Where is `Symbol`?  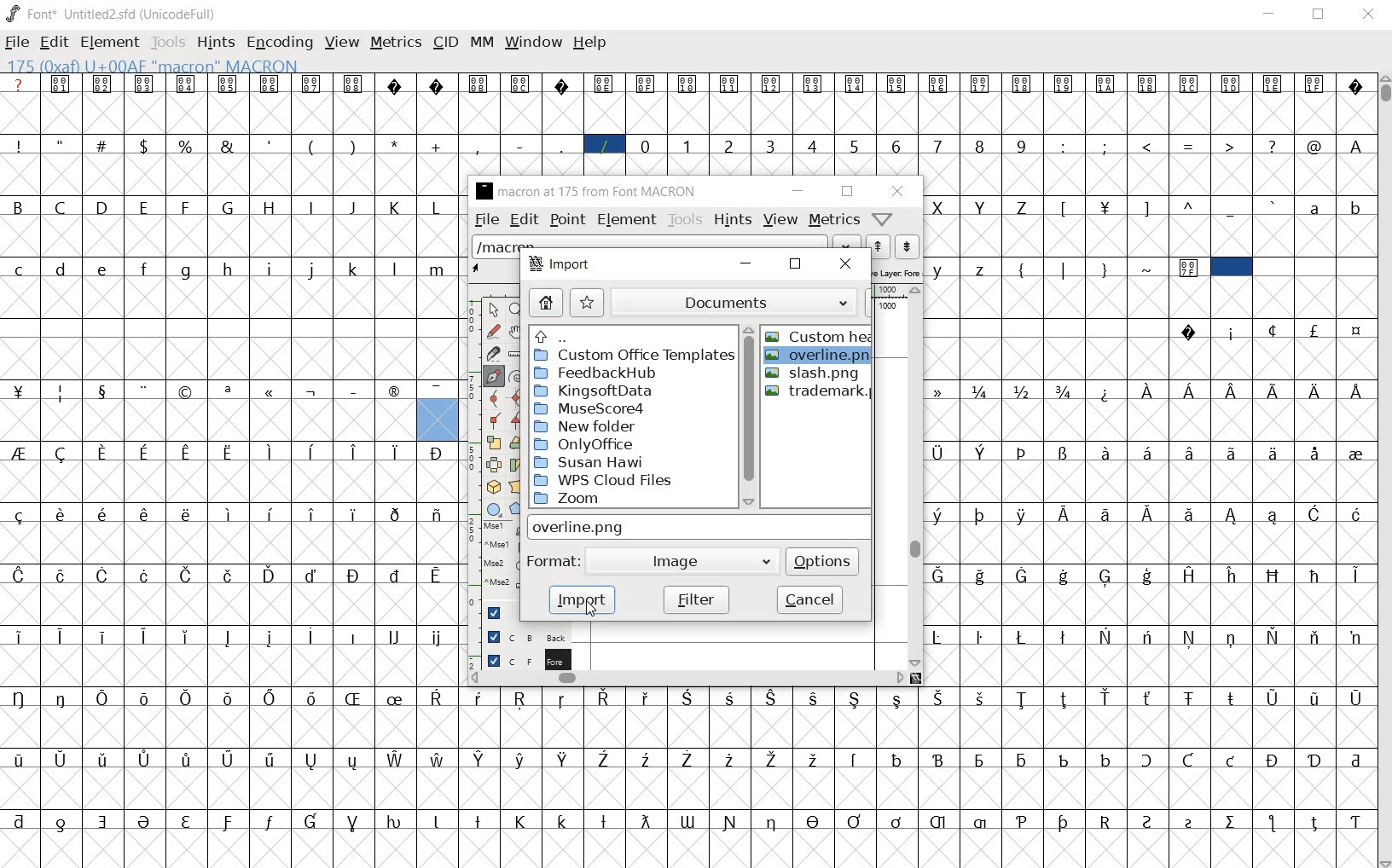
Symbol is located at coordinates (690, 697).